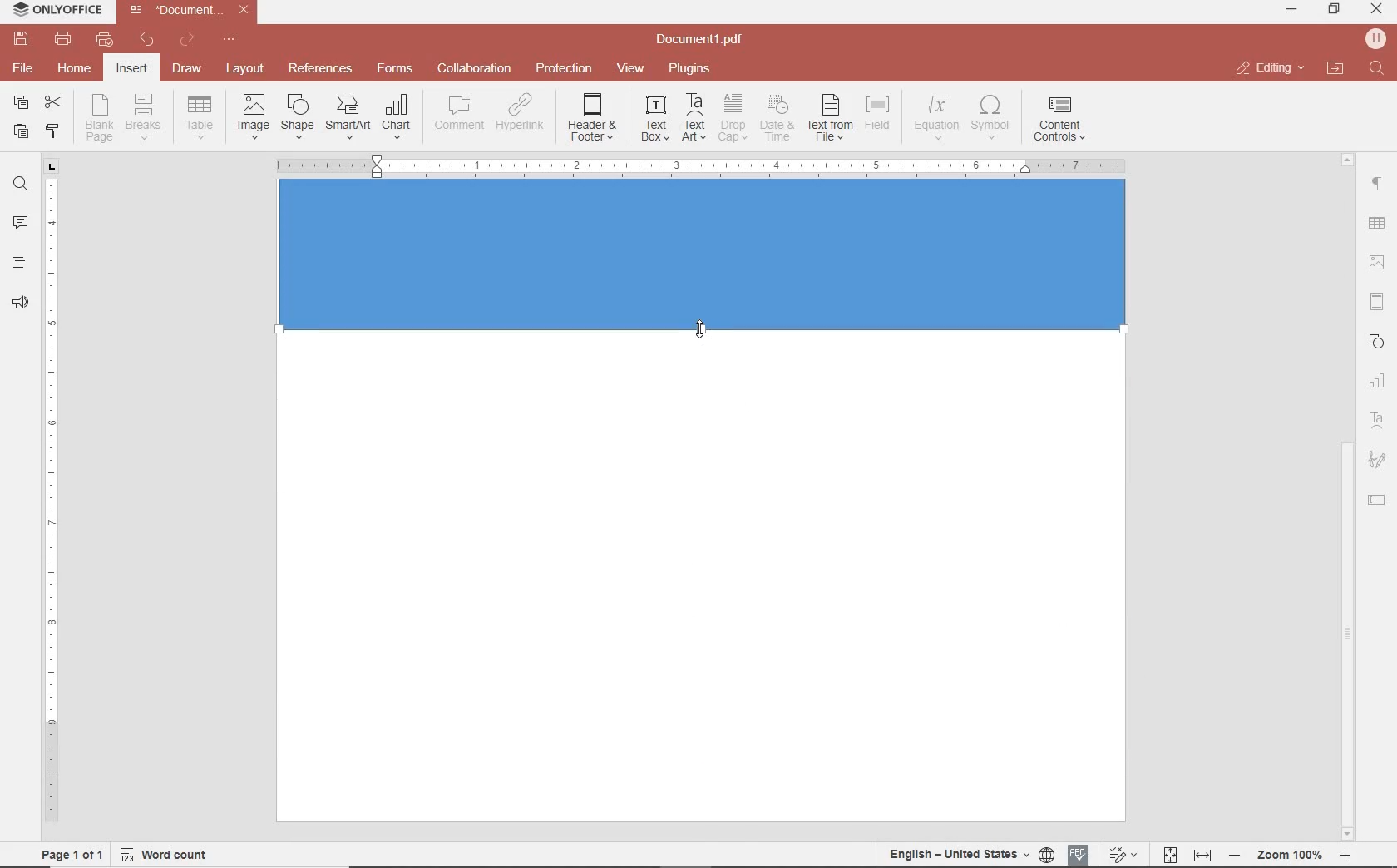  Describe the element at coordinates (594, 118) in the screenshot. I see `EDIT HEADER OR FOOTER` at that location.